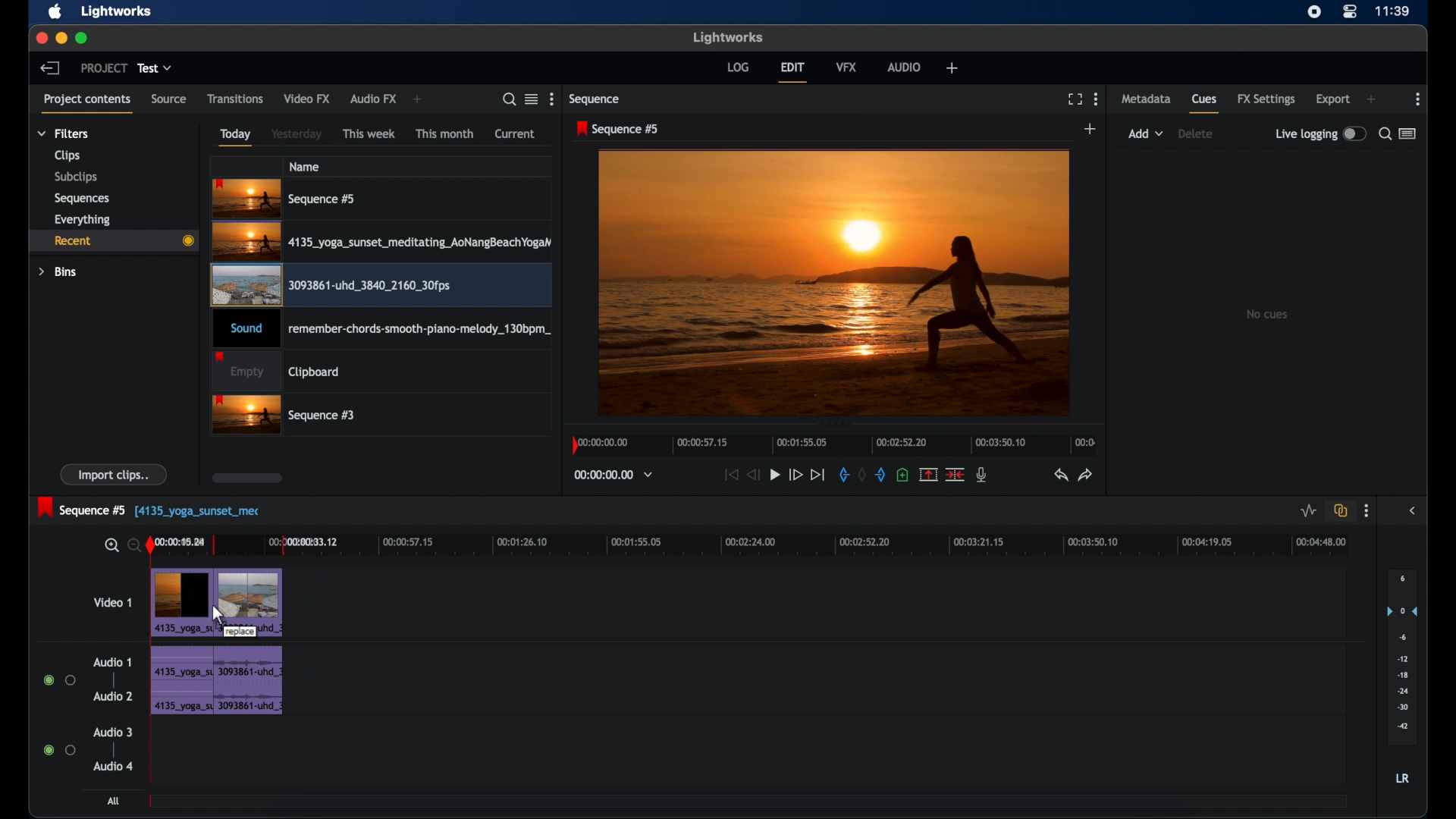  Describe the element at coordinates (730, 38) in the screenshot. I see `lightworks` at that location.